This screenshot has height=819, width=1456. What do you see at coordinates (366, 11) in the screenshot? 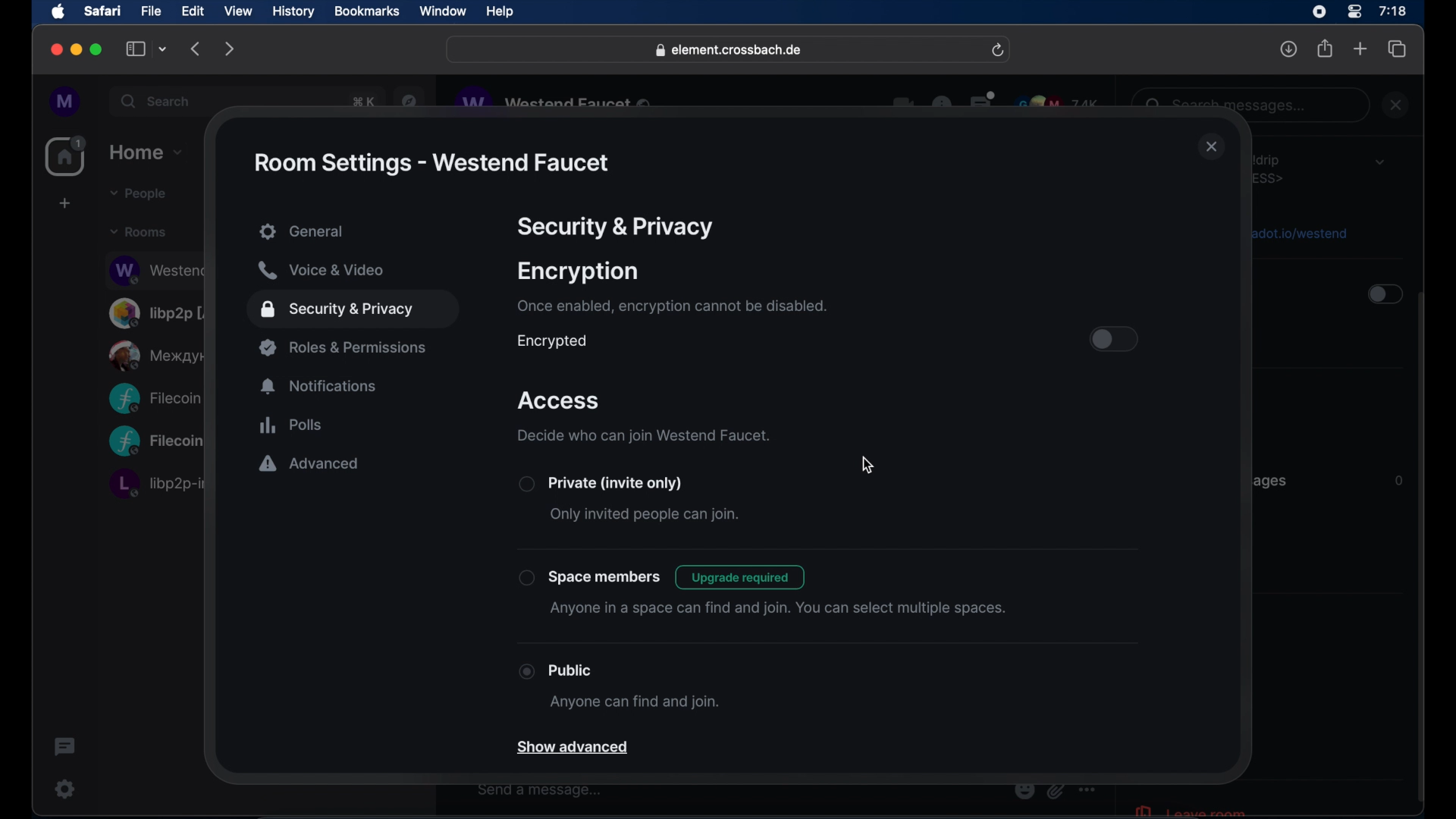
I see `bookmarks` at bounding box center [366, 11].